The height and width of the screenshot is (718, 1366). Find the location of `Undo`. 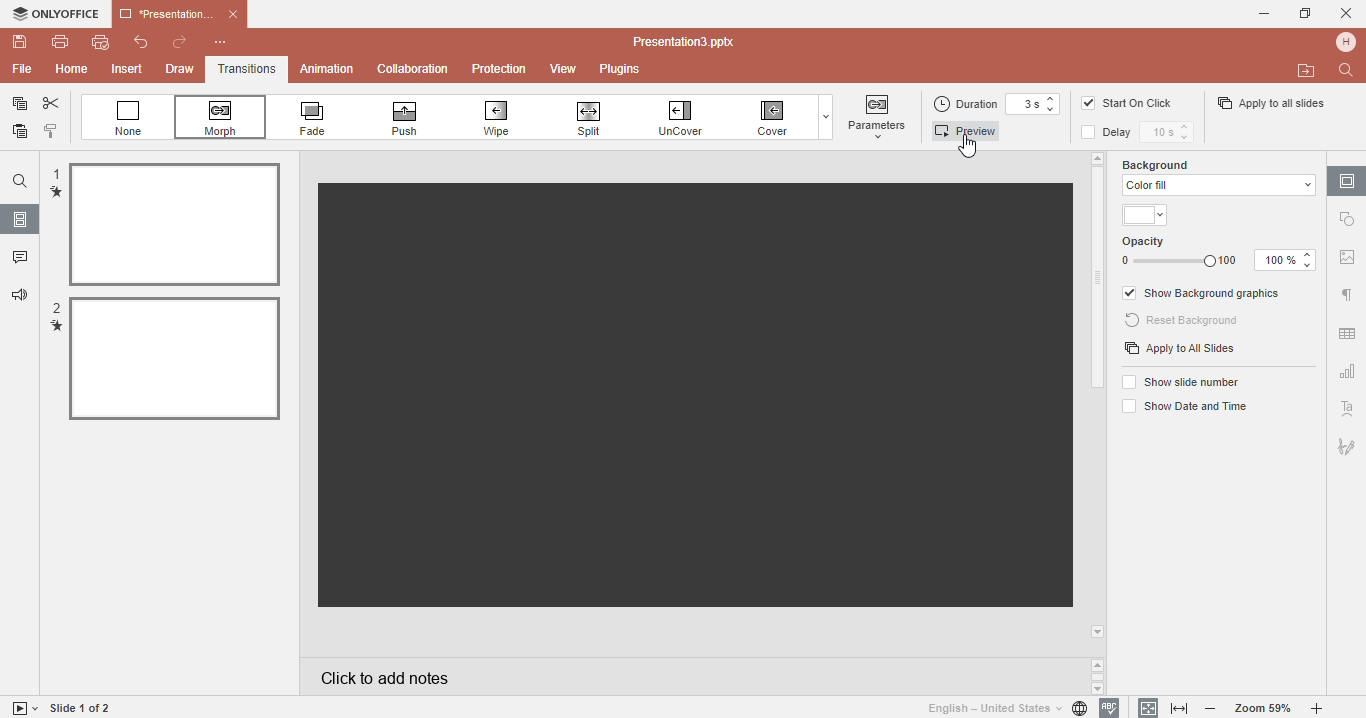

Undo is located at coordinates (134, 44).